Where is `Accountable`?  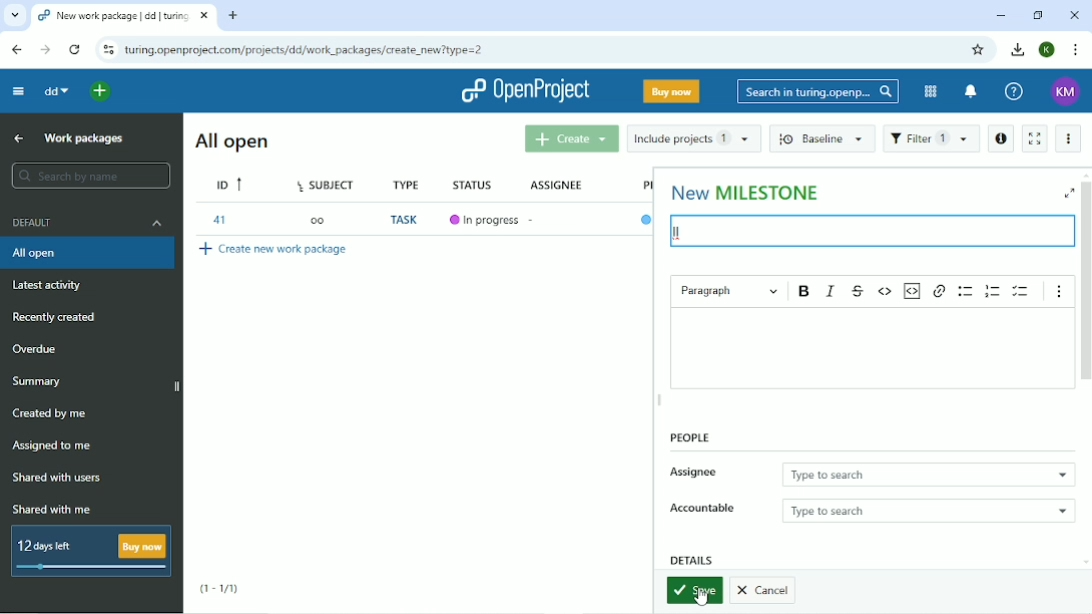 Accountable is located at coordinates (703, 509).